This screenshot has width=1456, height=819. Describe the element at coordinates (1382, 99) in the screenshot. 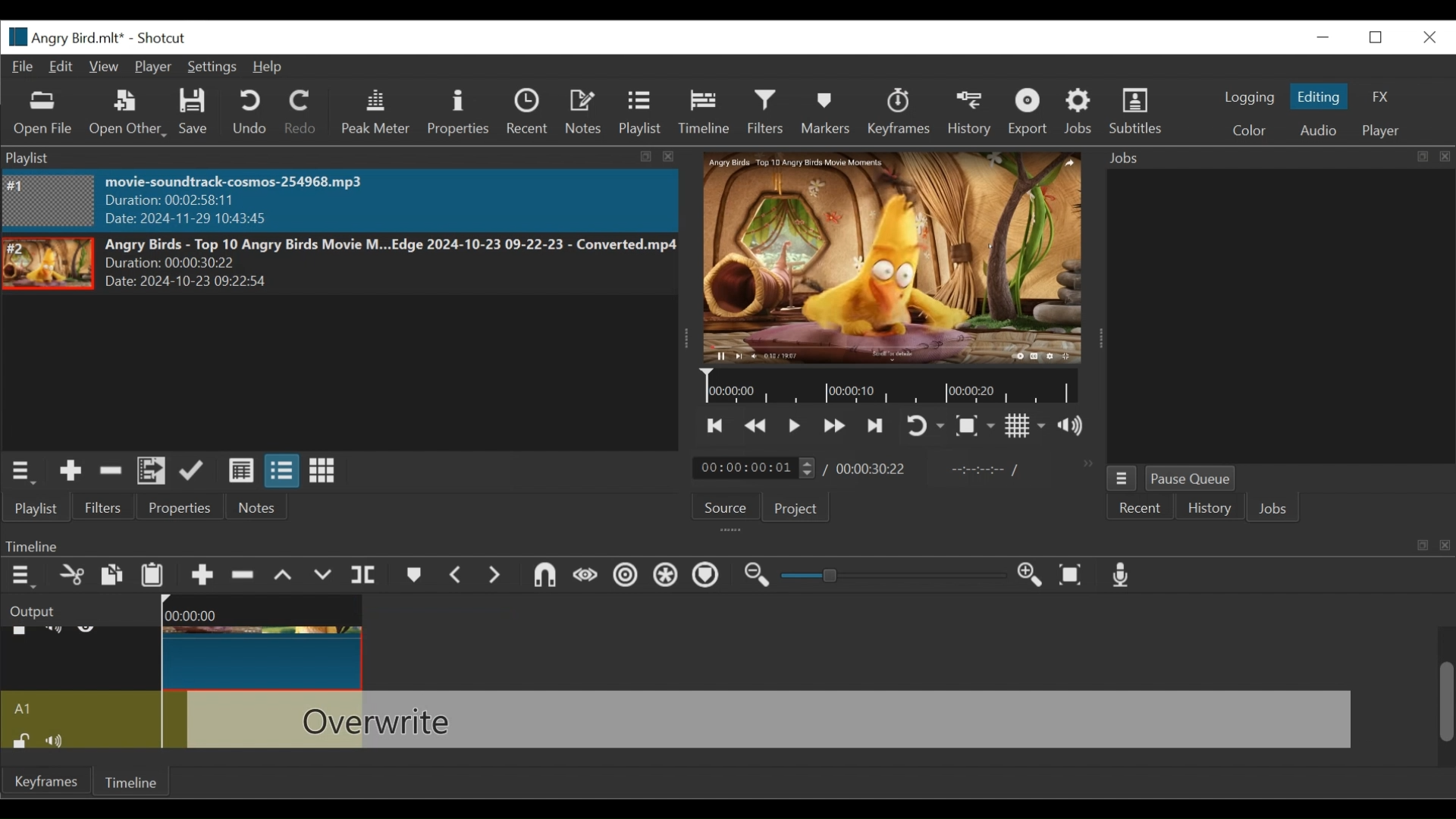

I see `FX` at that location.